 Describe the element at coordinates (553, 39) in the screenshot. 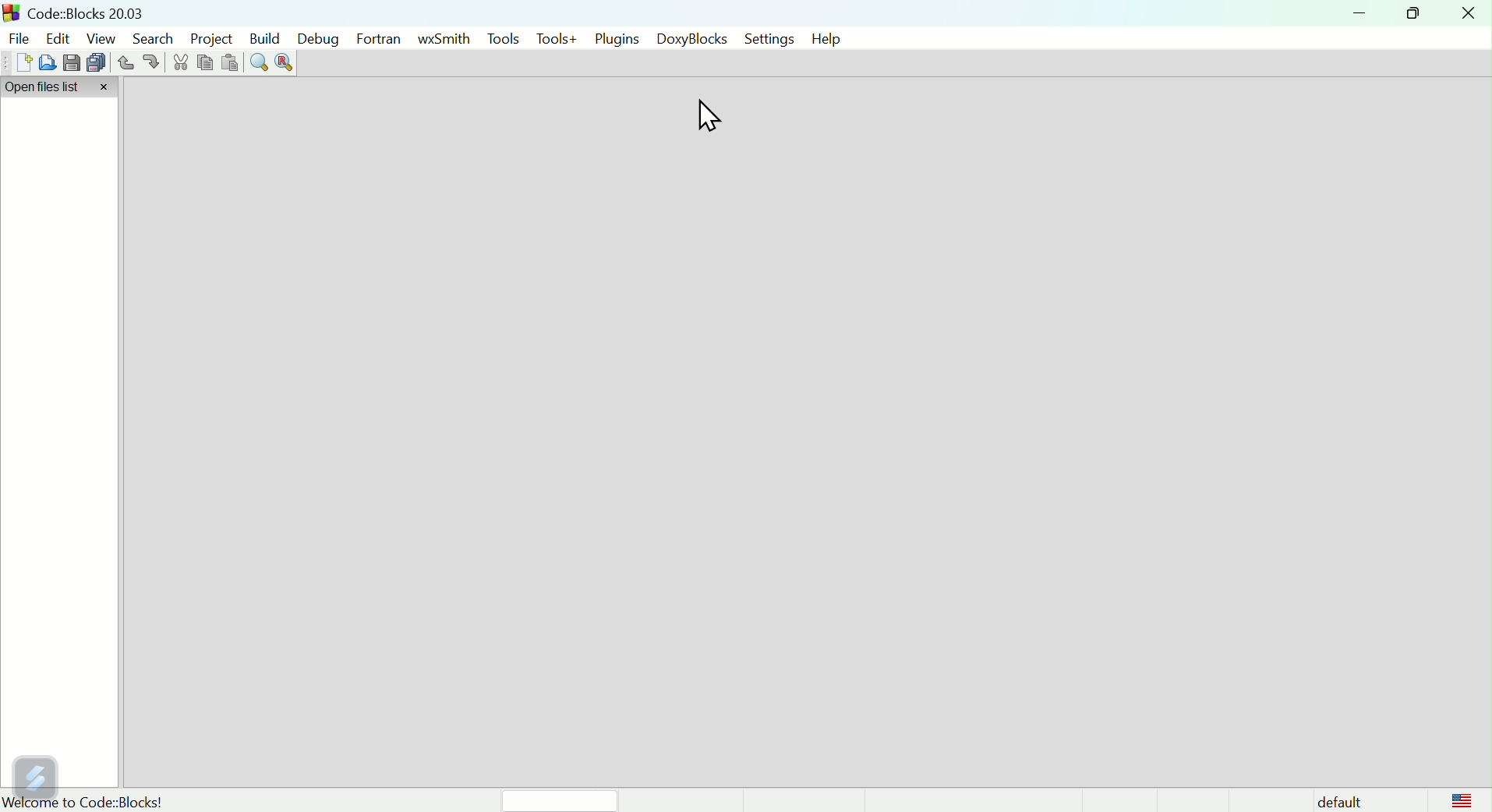

I see `tools+` at that location.